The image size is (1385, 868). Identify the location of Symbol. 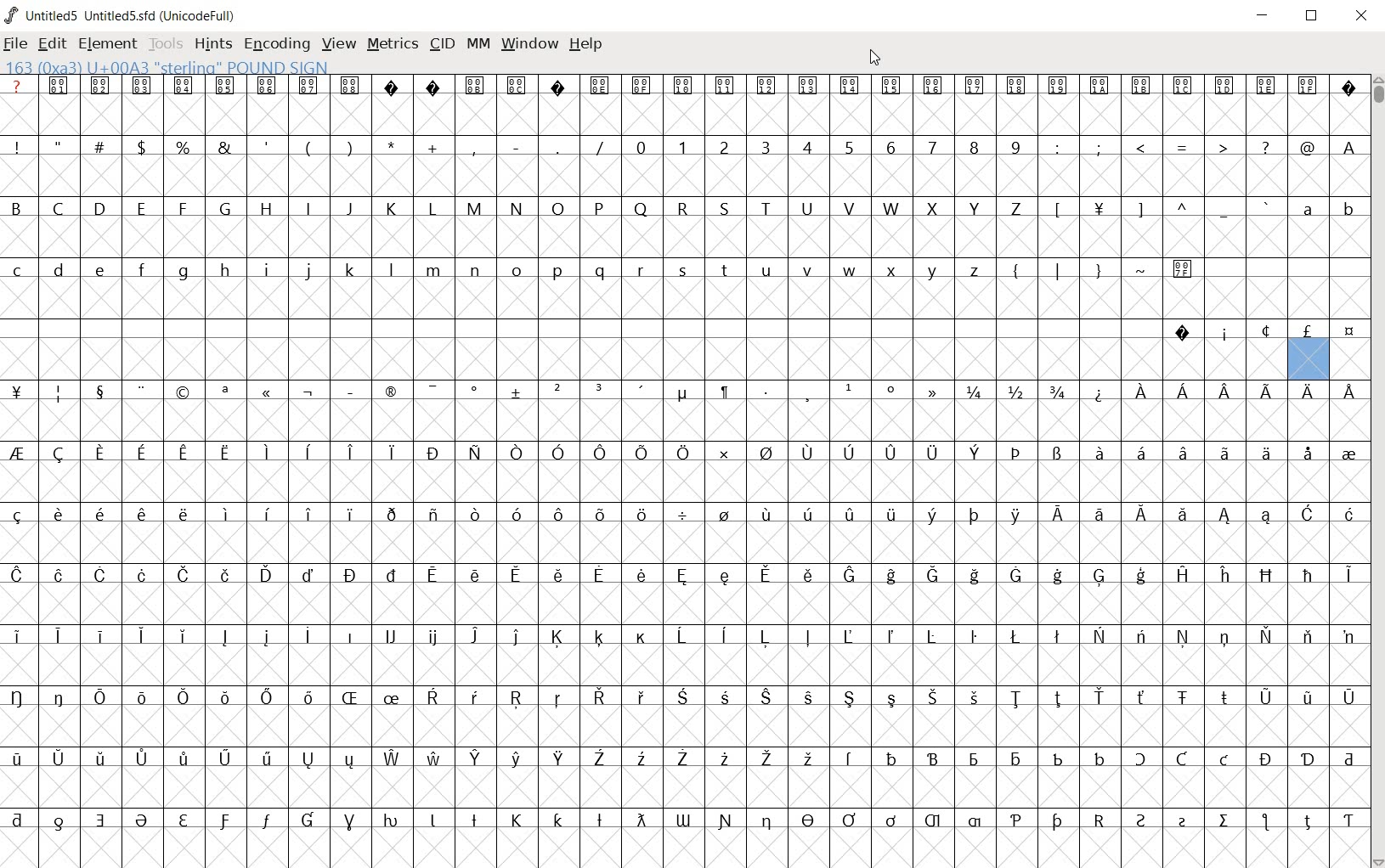
(1180, 454).